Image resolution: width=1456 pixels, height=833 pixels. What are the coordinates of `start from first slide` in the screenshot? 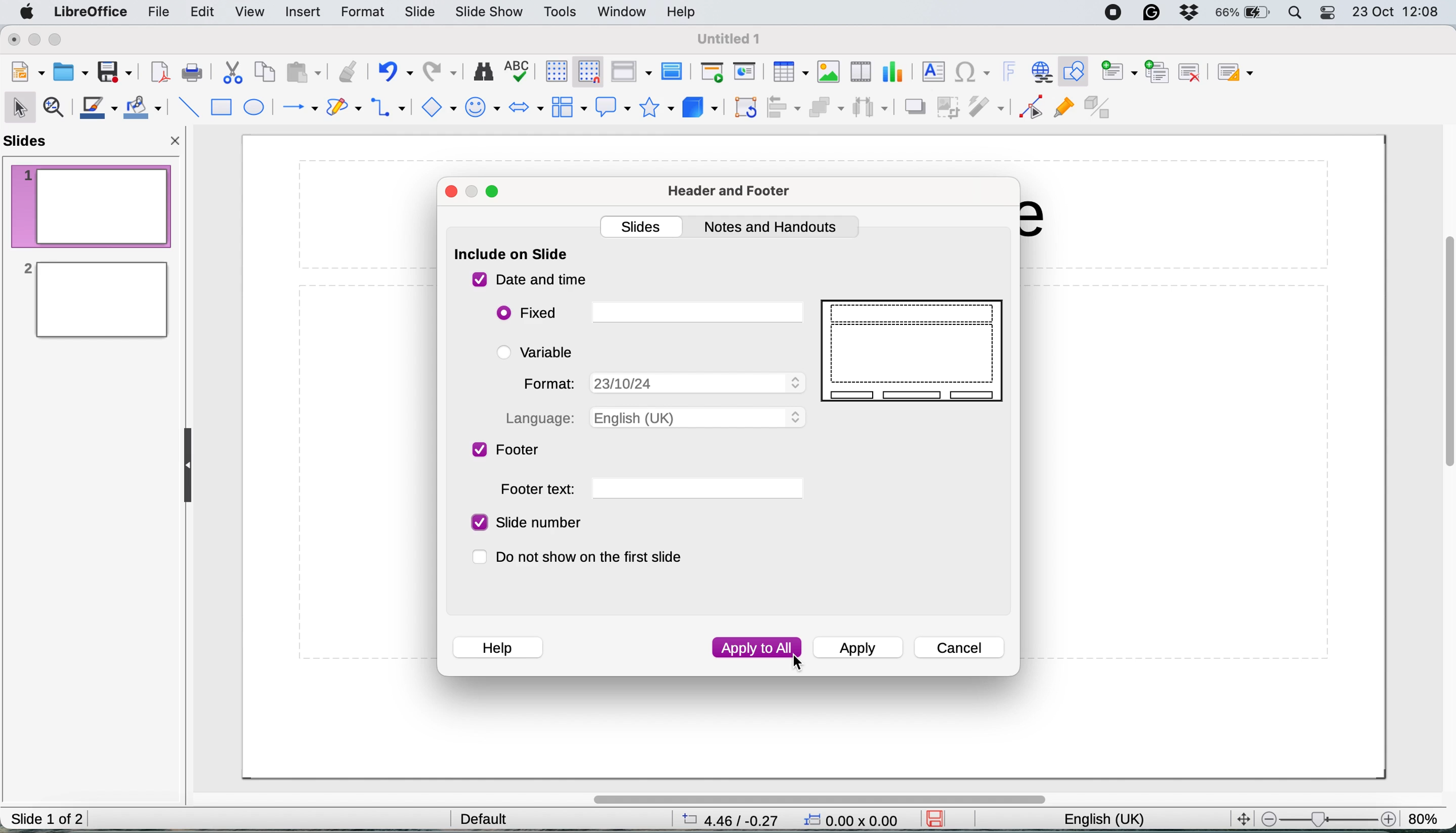 It's located at (712, 73).